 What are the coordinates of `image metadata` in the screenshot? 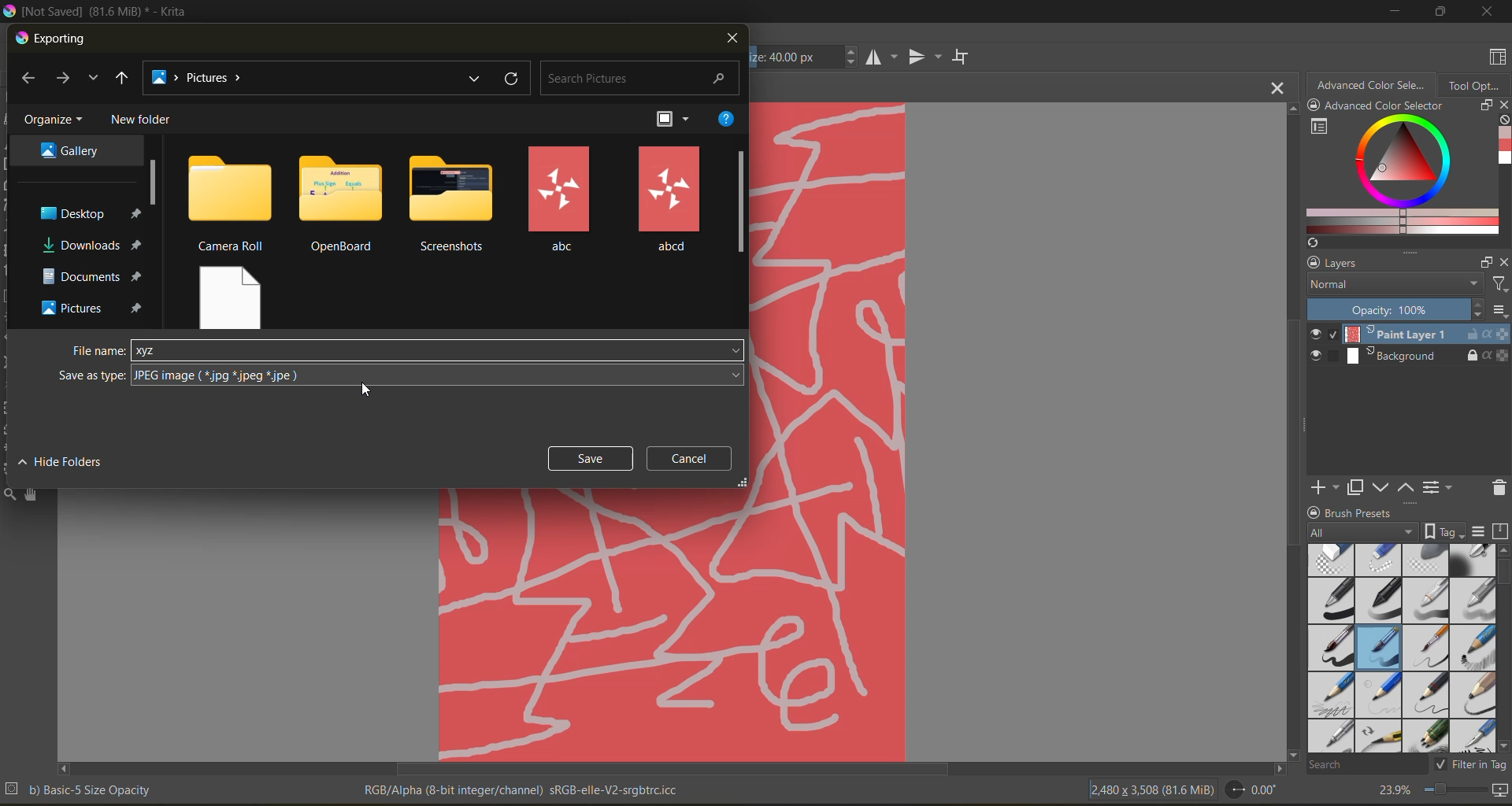 It's located at (1151, 788).